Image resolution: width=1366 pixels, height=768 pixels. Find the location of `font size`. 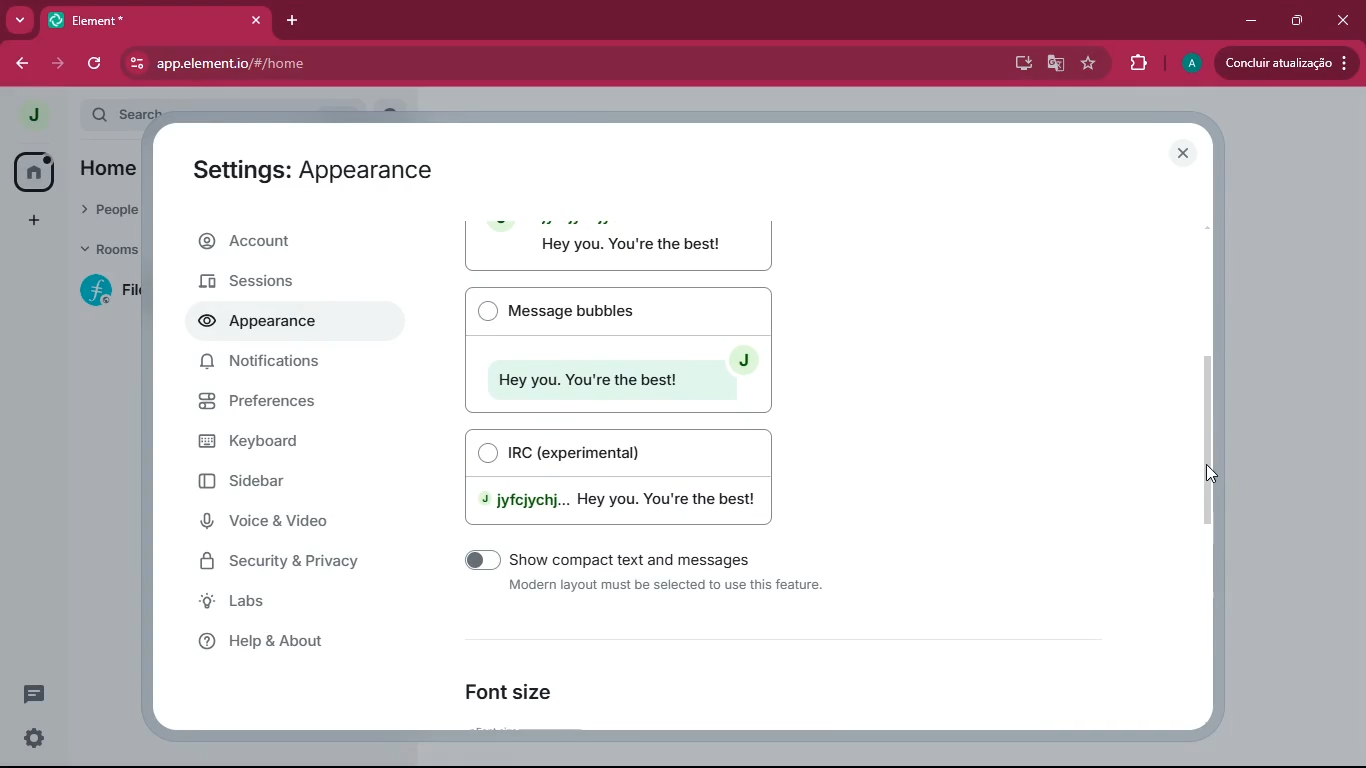

font size is located at coordinates (522, 691).